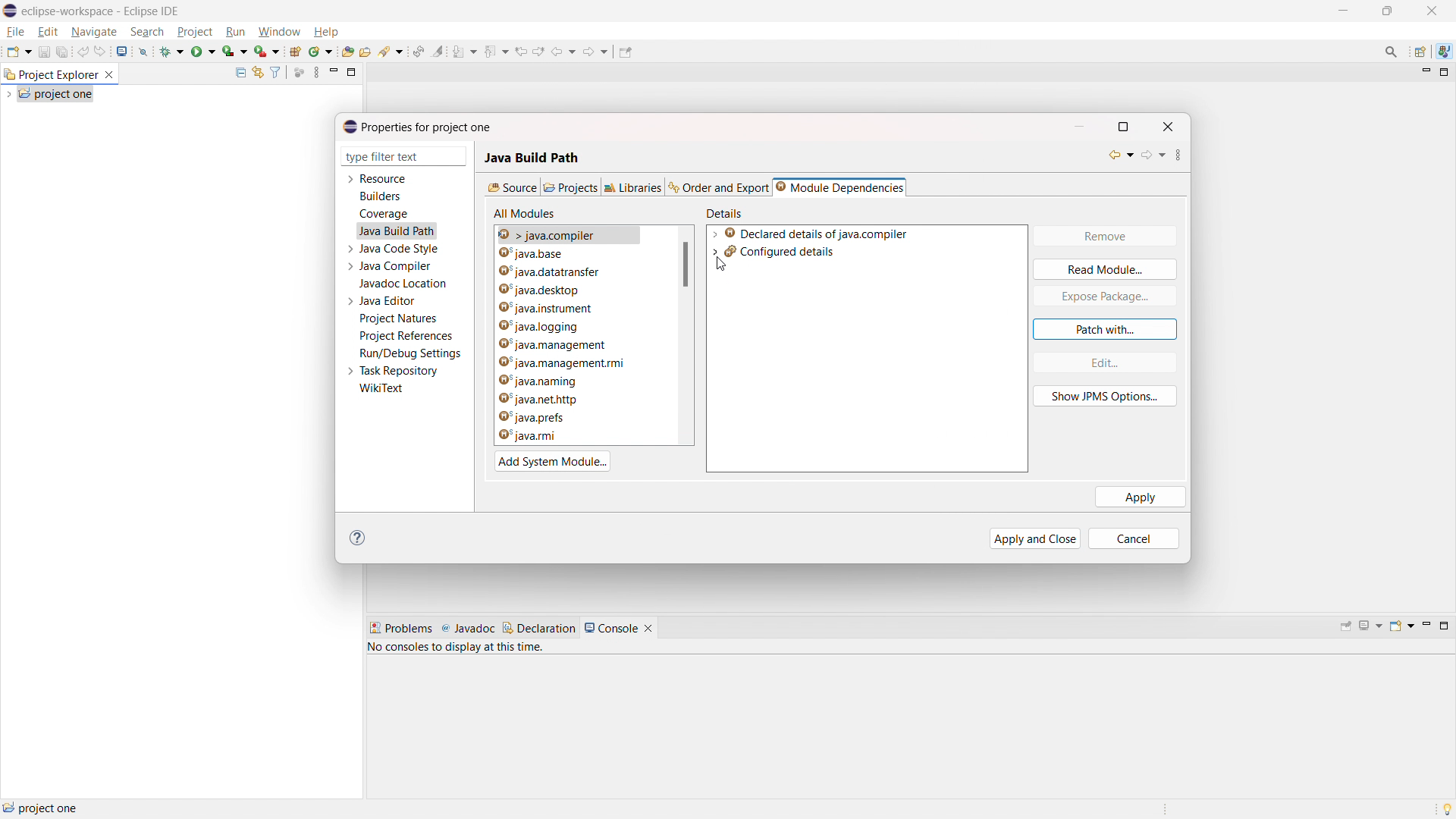  I want to click on no consoles to display at this time. , so click(459, 650).